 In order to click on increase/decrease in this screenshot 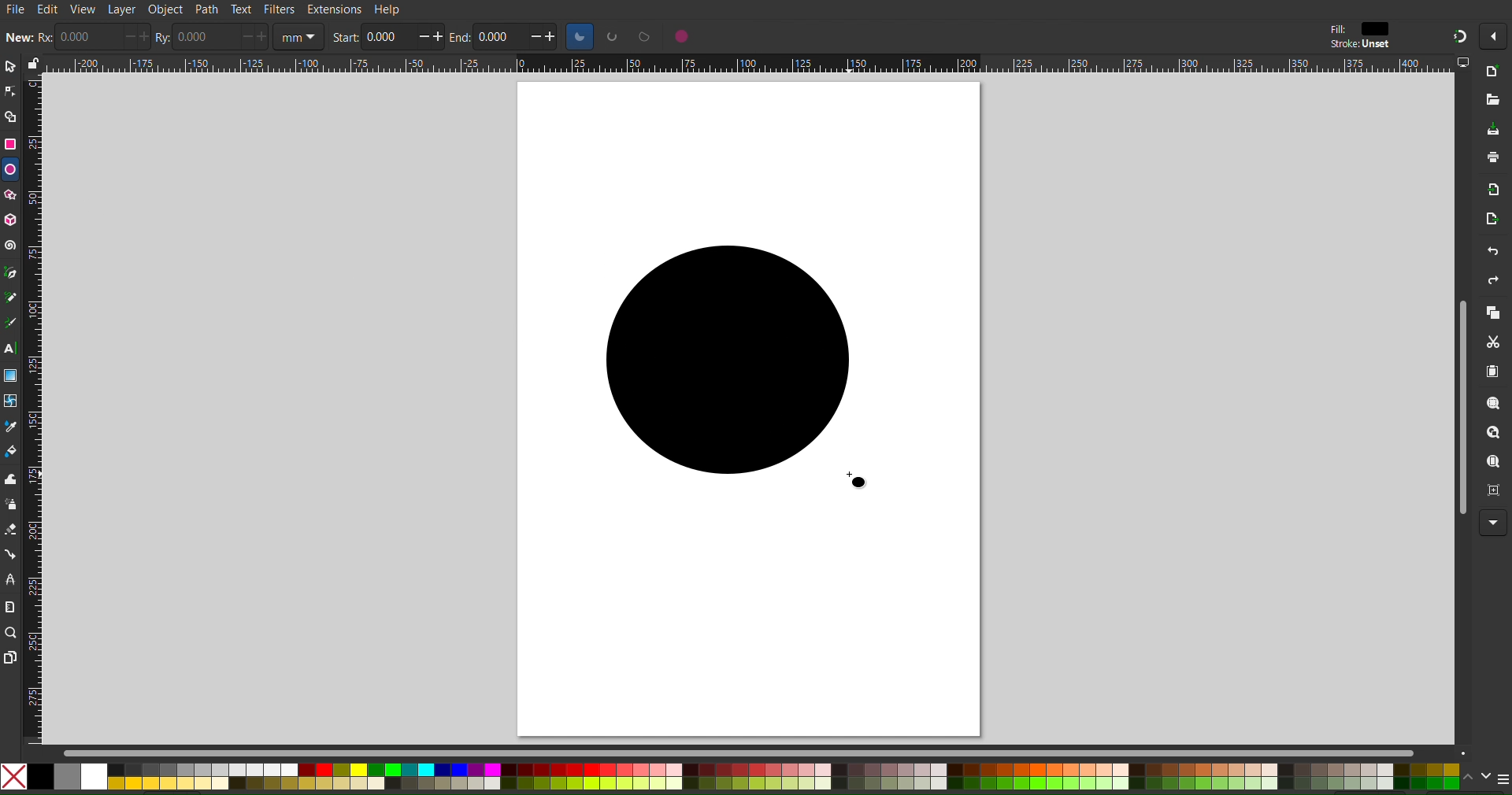, I will do `click(136, 38)`.